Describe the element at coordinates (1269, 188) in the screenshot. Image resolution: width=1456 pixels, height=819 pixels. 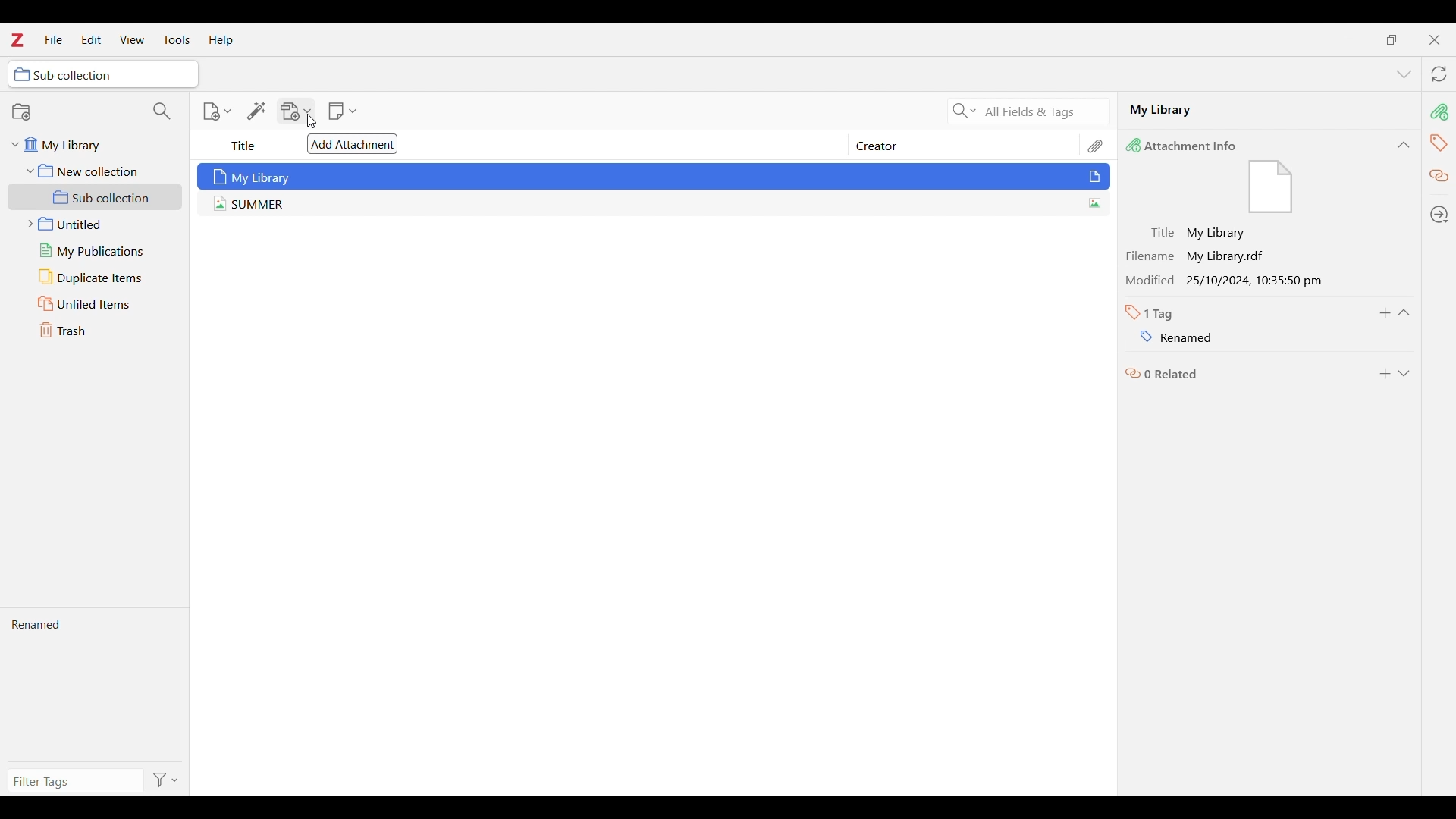
I see `file icon` at that location.